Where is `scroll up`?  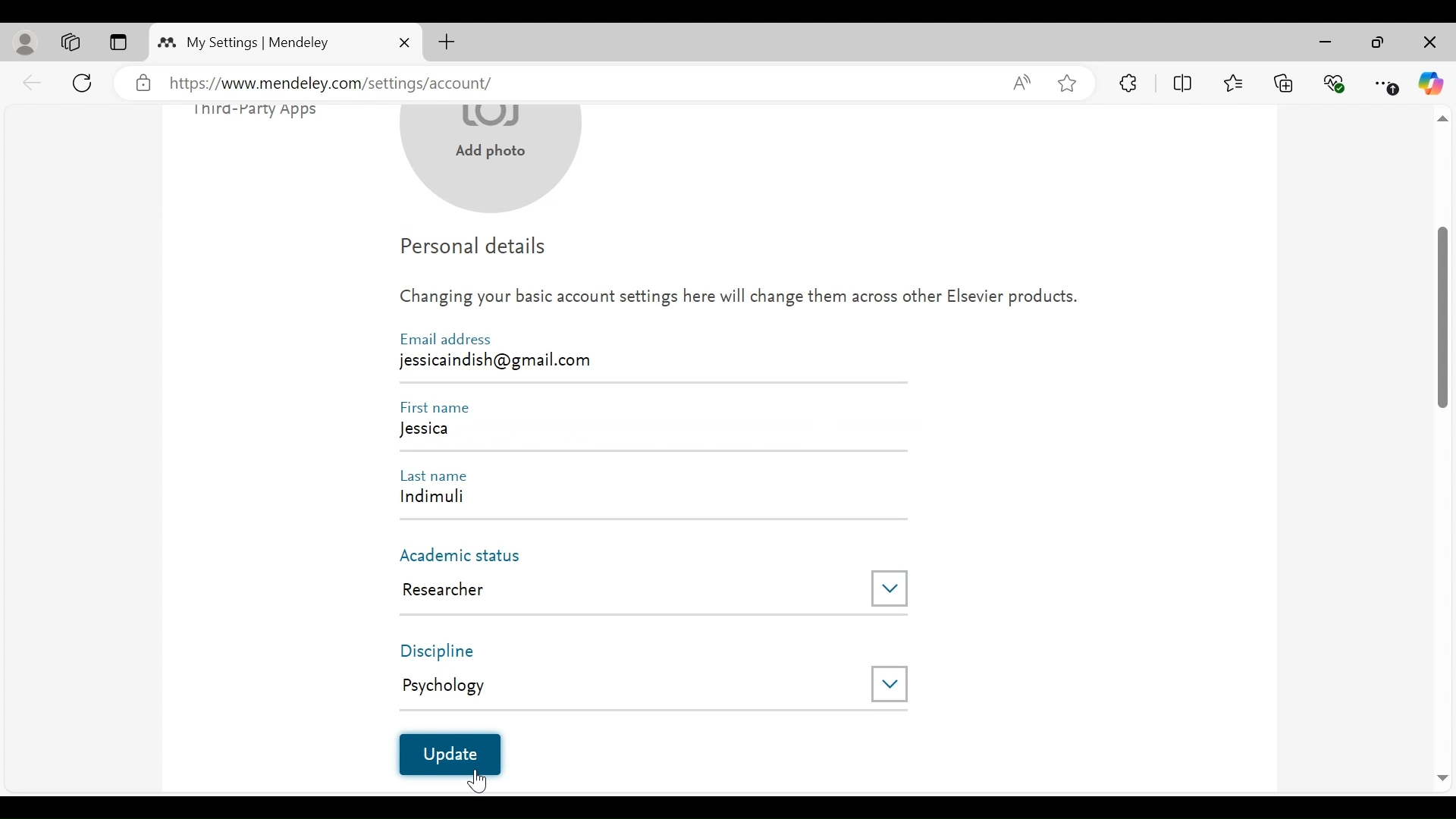 scroll up is located at coordinates (1442, 120).